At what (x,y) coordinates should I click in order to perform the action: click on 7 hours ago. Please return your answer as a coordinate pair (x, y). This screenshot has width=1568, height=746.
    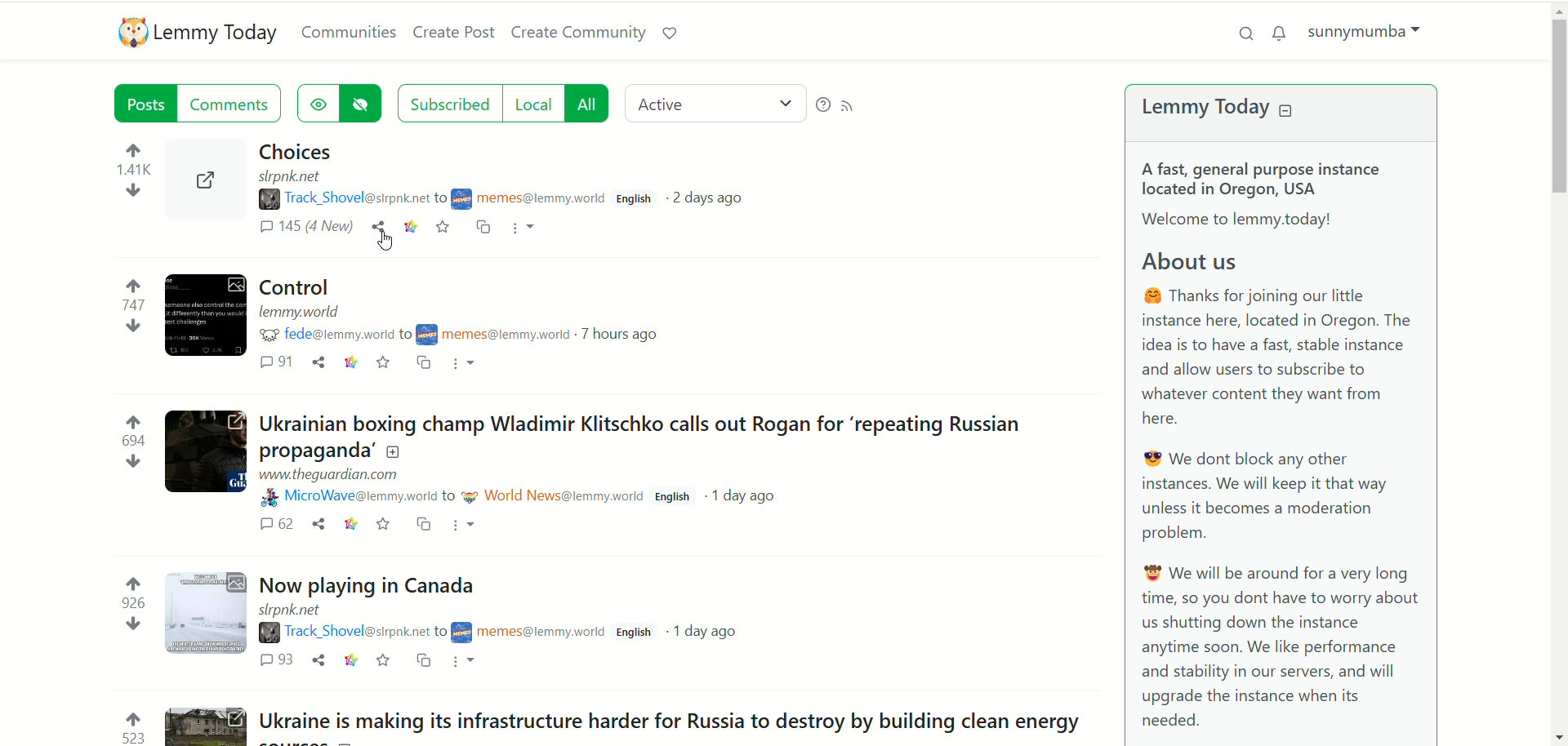
    Looking at the image, I should click on (620, 332).